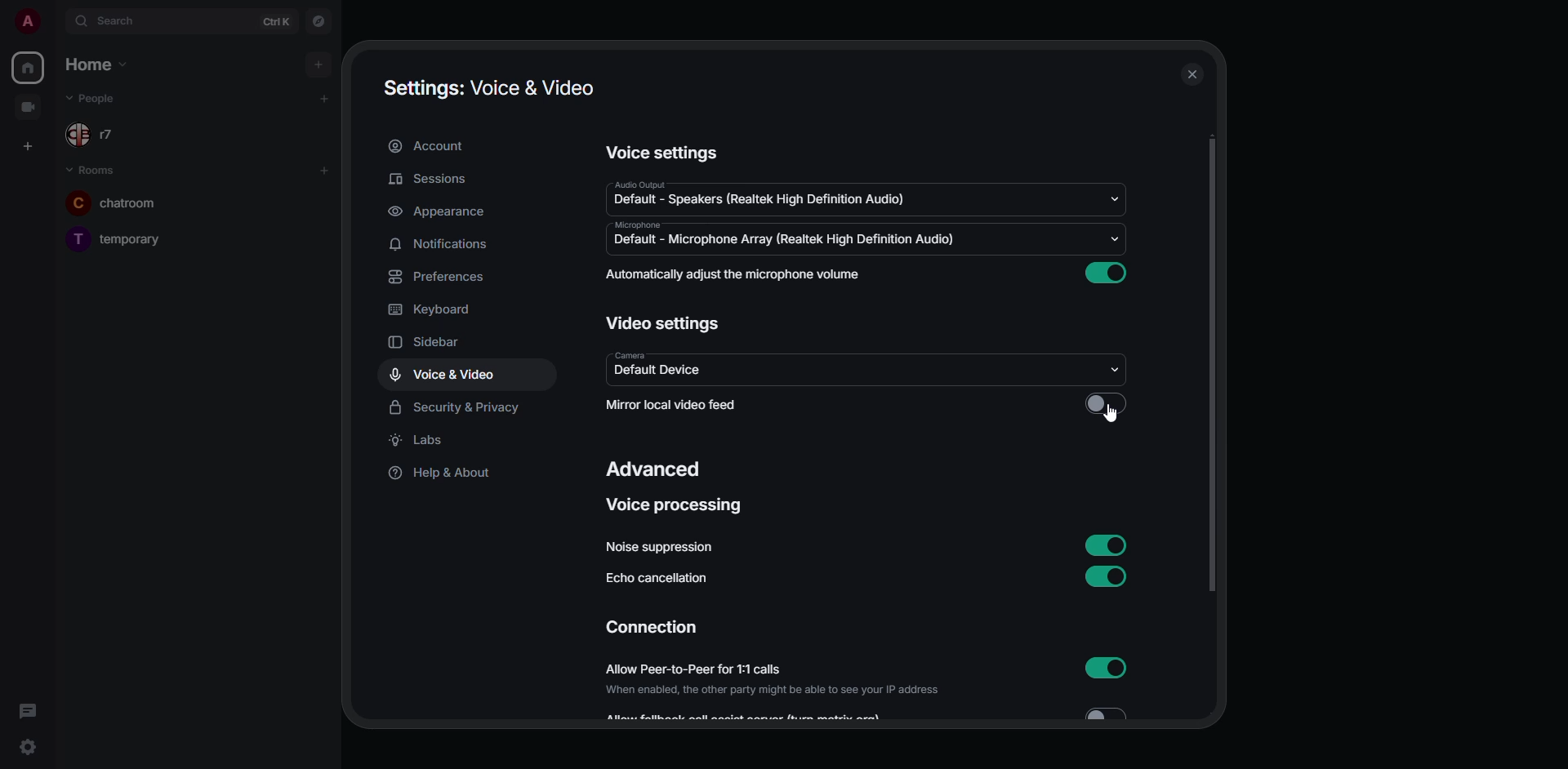  Describe the element at coordinates (326, 98) in the screenshot. I see `add` at that location.